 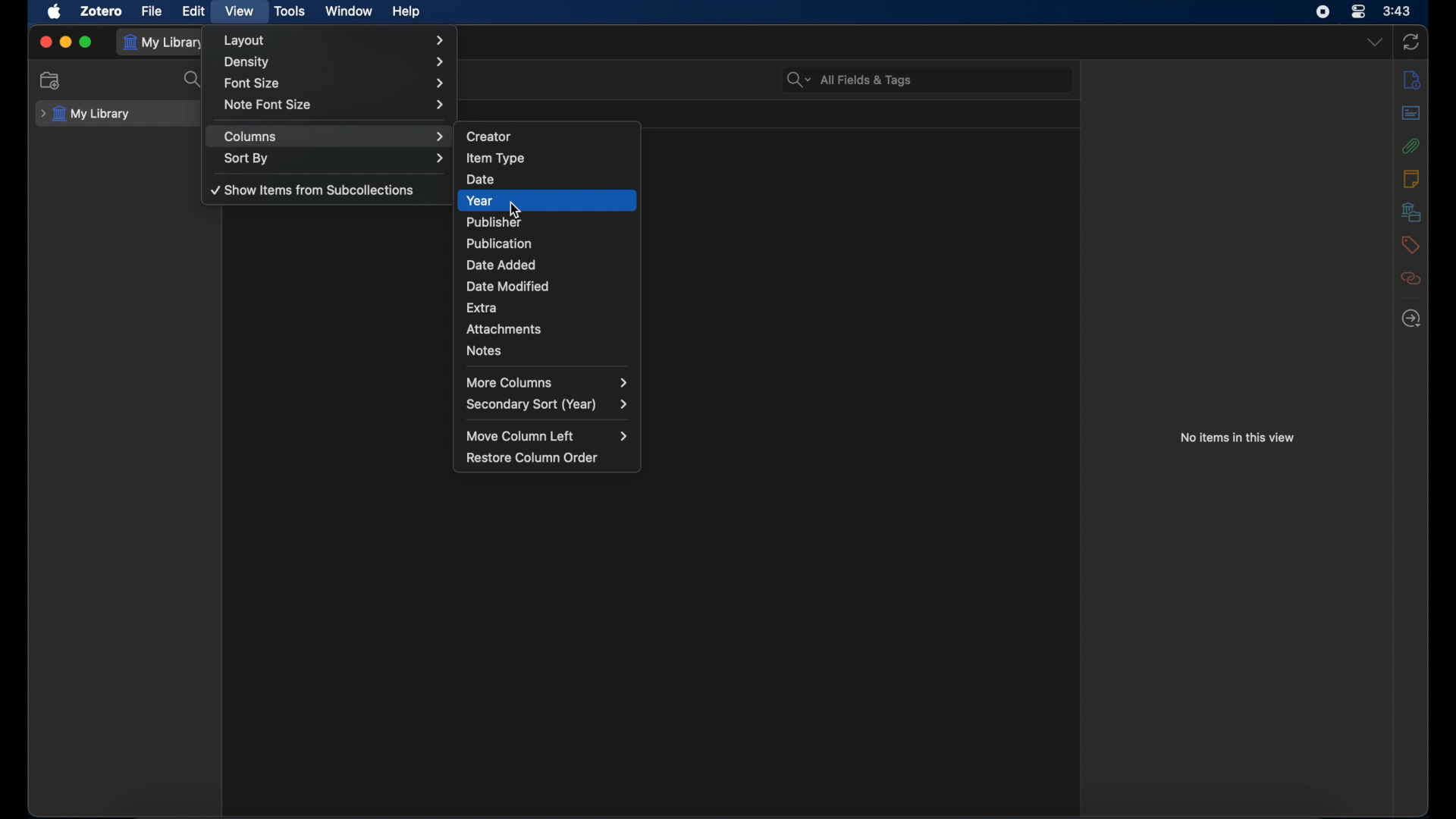 What do you see at coordinates (193, 11) in the screenshot?
I see `edit` at bounding box center [193, 11].